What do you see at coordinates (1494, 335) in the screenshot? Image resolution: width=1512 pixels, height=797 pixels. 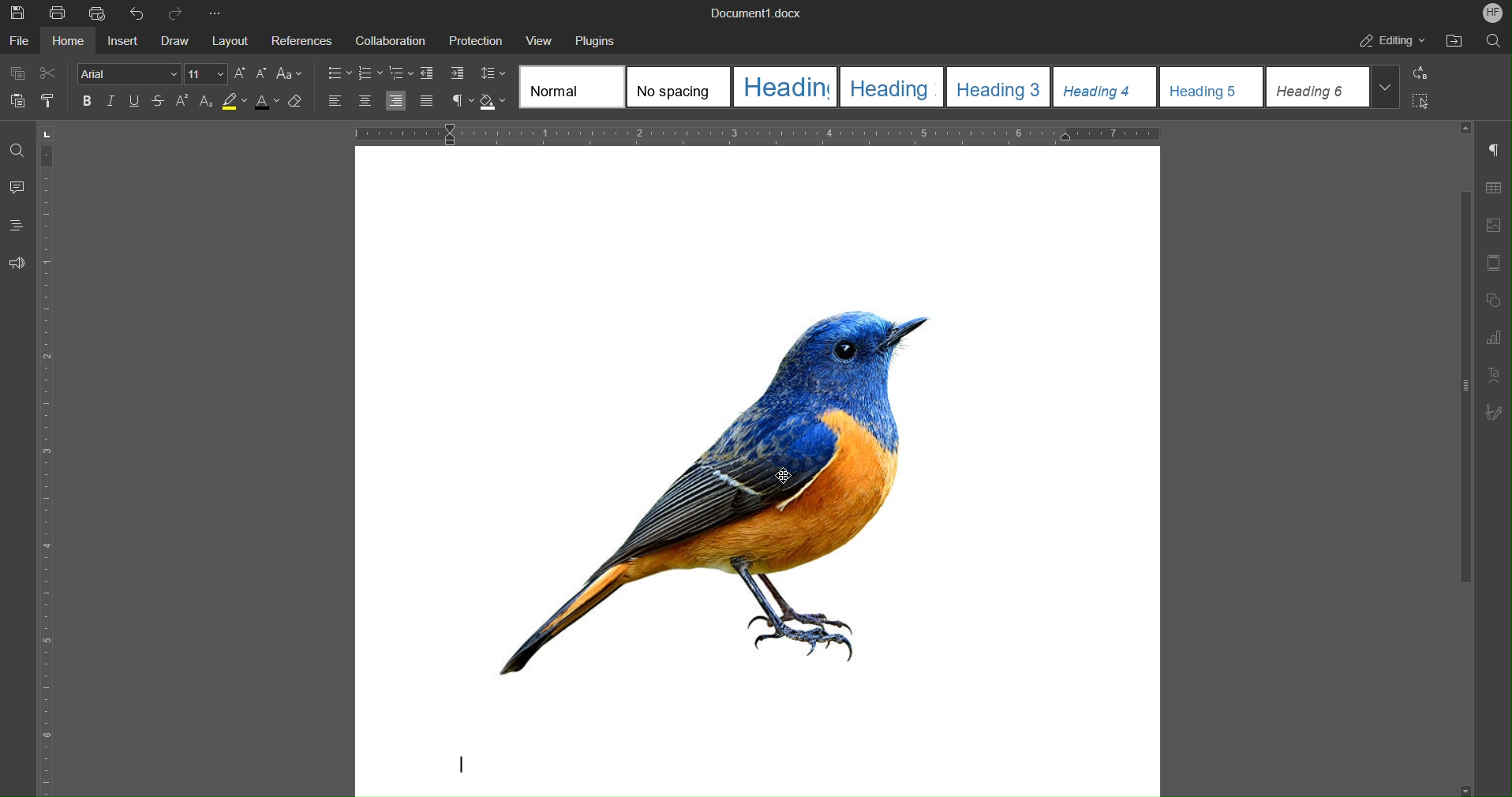 I see `Graph Settings` at bounding box center [1494, 335].